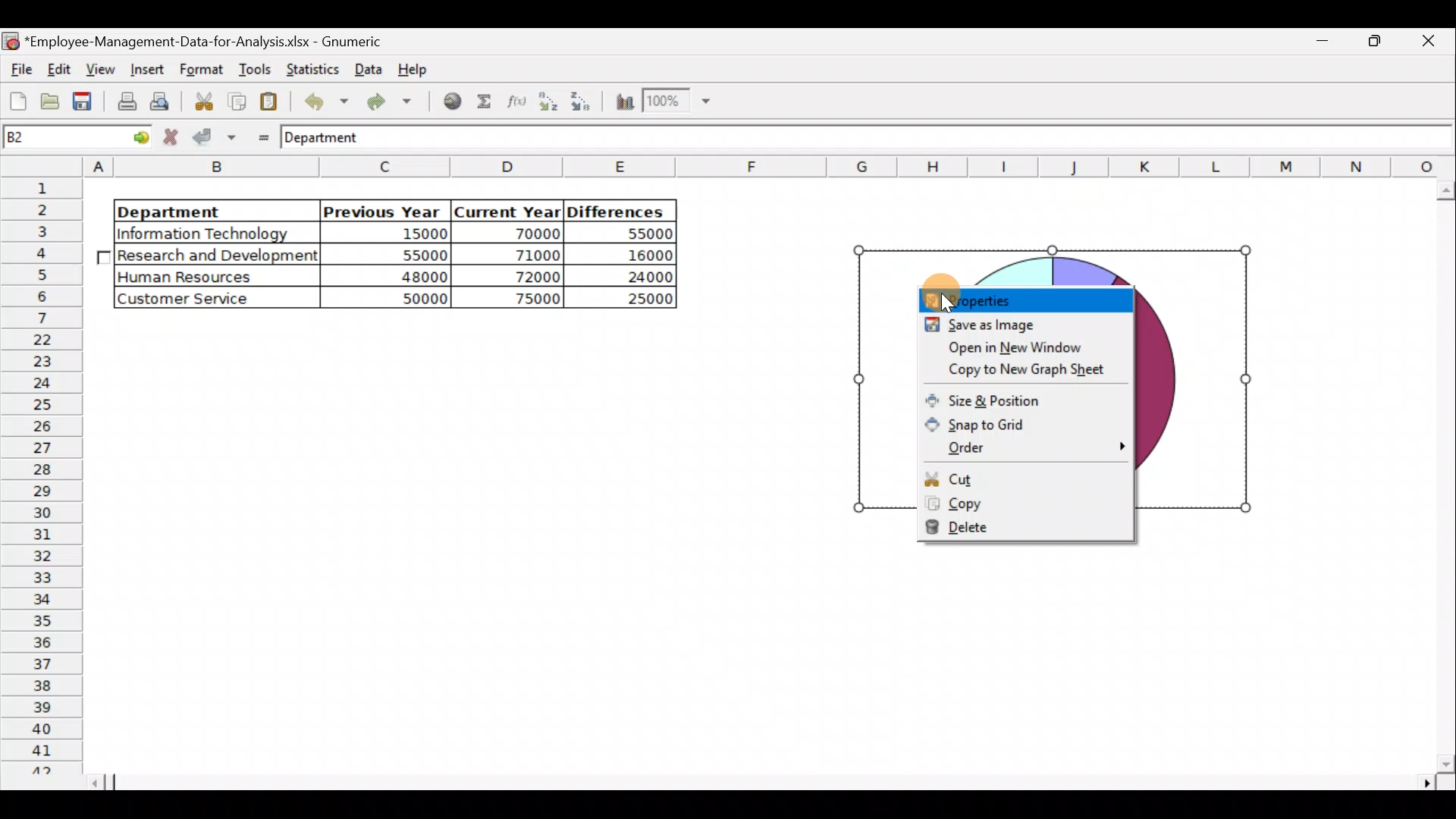 The image size is (1456, 819). What do you see at coordinates (124, 103) in the screenshot?
I see `Print current file` at bounding box center [124, 103].